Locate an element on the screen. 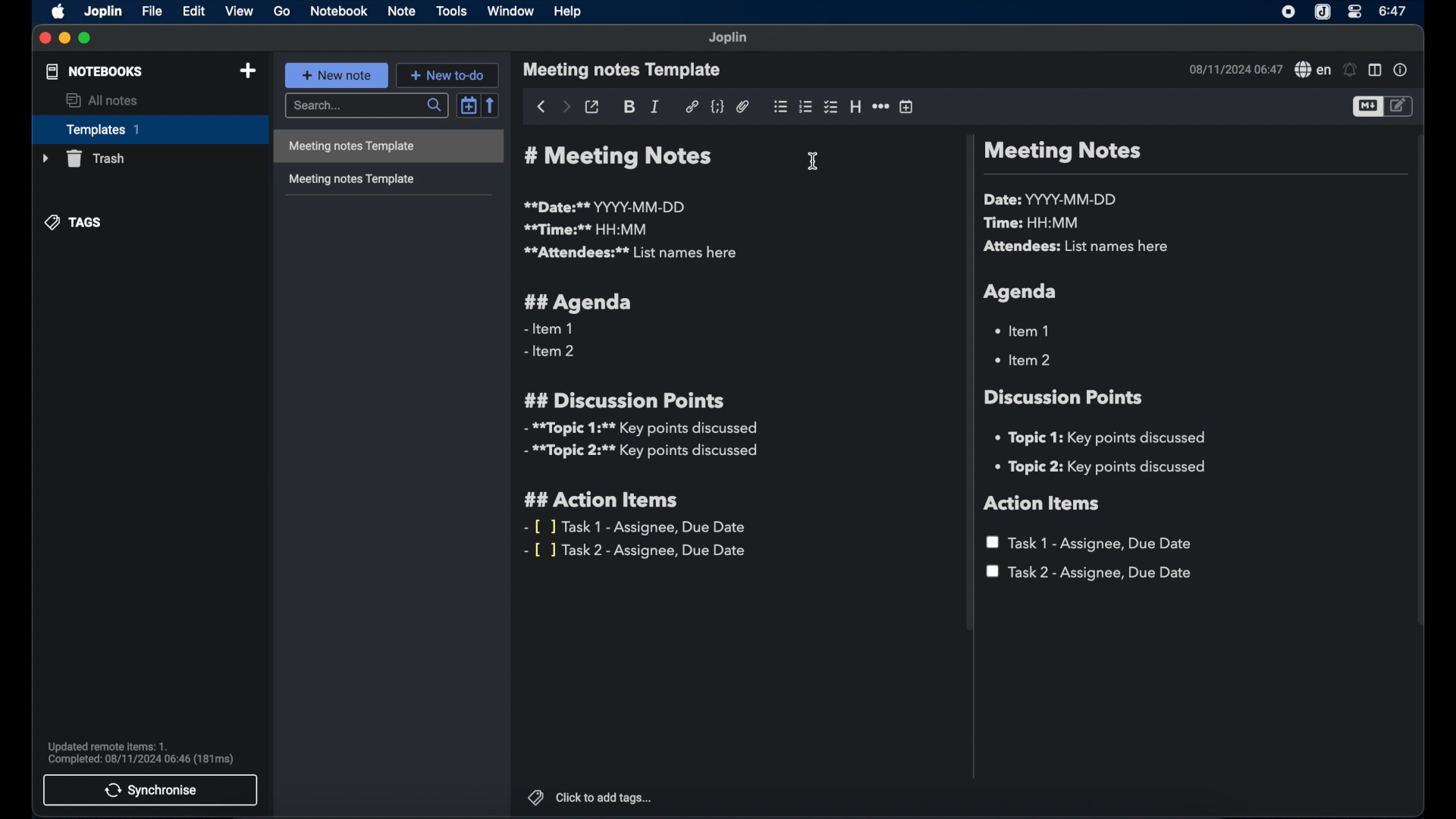 Image resolution: width=1456 pixels, height=819 pixels. text cursor is located at coordinates (814, 162).